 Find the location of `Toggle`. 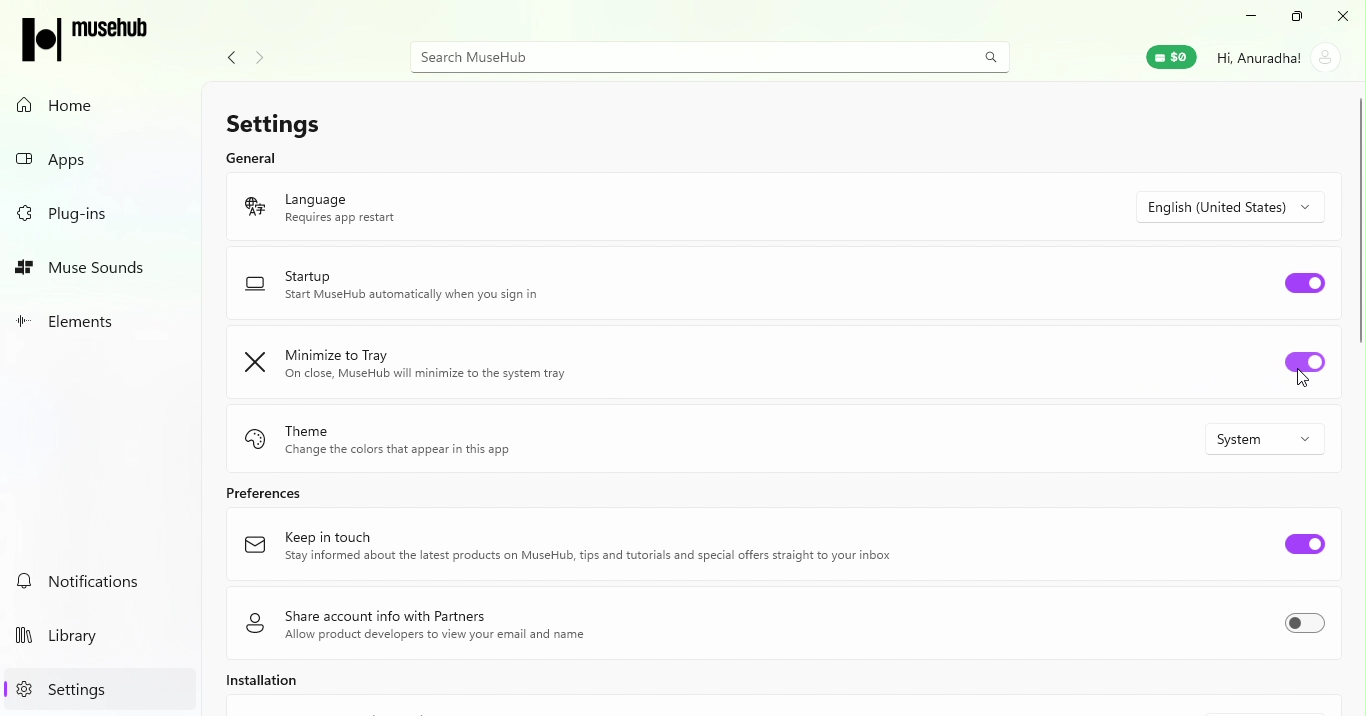

Toggle is located at coordinates (1306, 368).